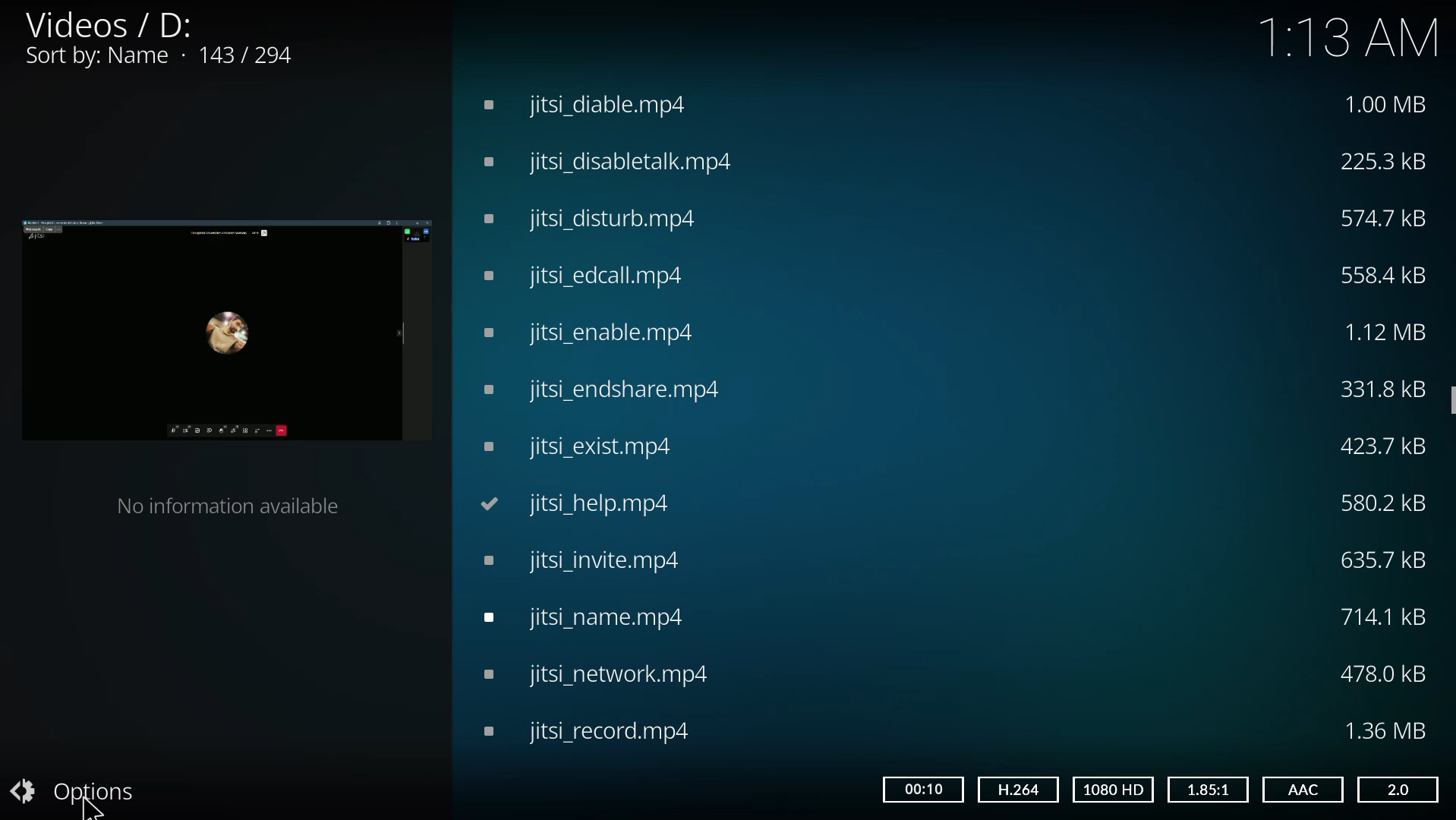 This screenshot has height=820, width=1456. What do you see at coordinates (1388, 729) in the screenshot?
I see `size` at bounding box center [1388, 729].